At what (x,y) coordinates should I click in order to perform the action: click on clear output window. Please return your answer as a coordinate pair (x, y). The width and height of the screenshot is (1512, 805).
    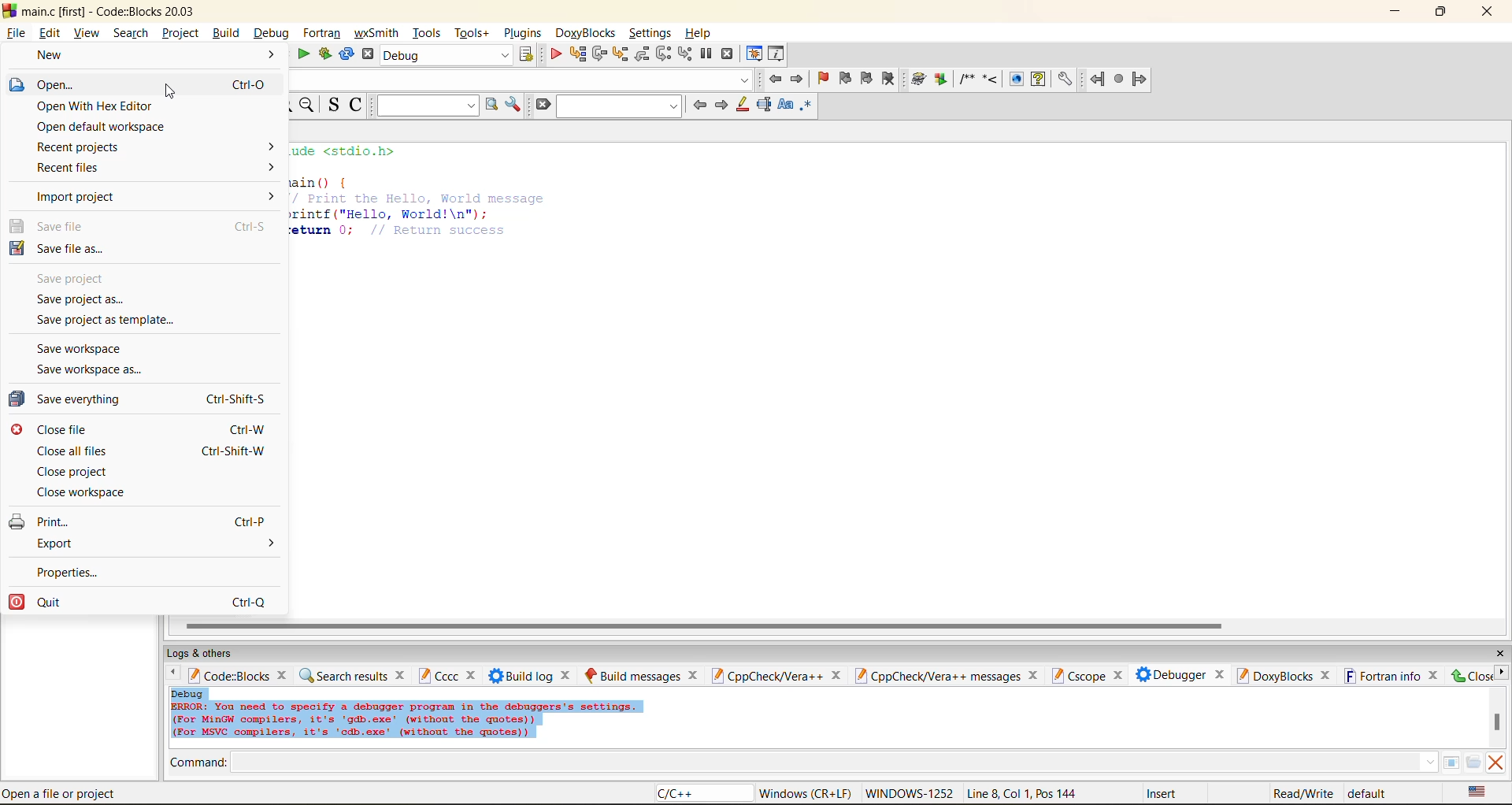
    Looking at the image, I should click on (1495, 762).